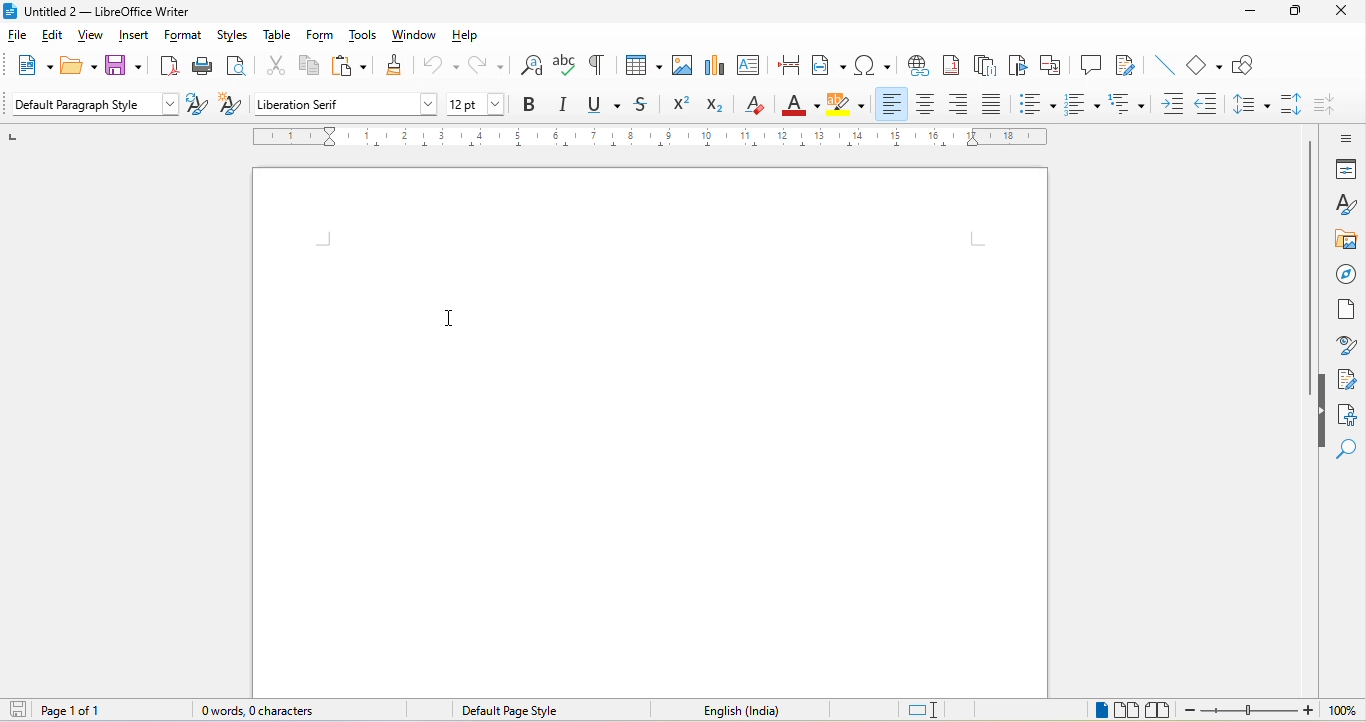 Image resolution: width=1366 pixels, height=722 pixels. What do you see at coordinates (94, 106) in the screenshot?
I see `set paragraph style` at bounding box center [94, 106].